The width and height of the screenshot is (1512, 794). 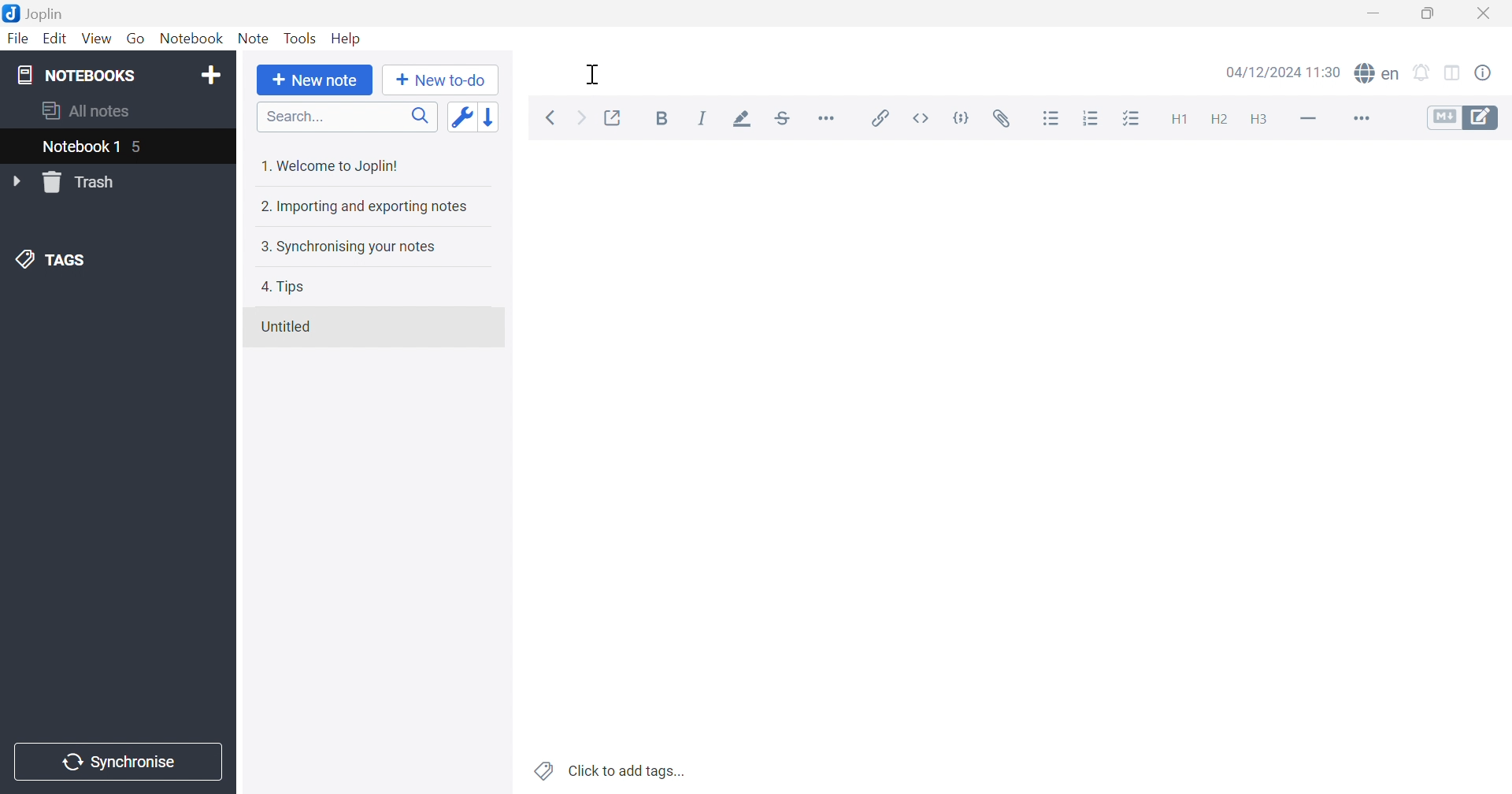 What do you see at coordinates (1004, 118) in the screenshot?
I see `Attach file` at bounding box center [1004, 118].